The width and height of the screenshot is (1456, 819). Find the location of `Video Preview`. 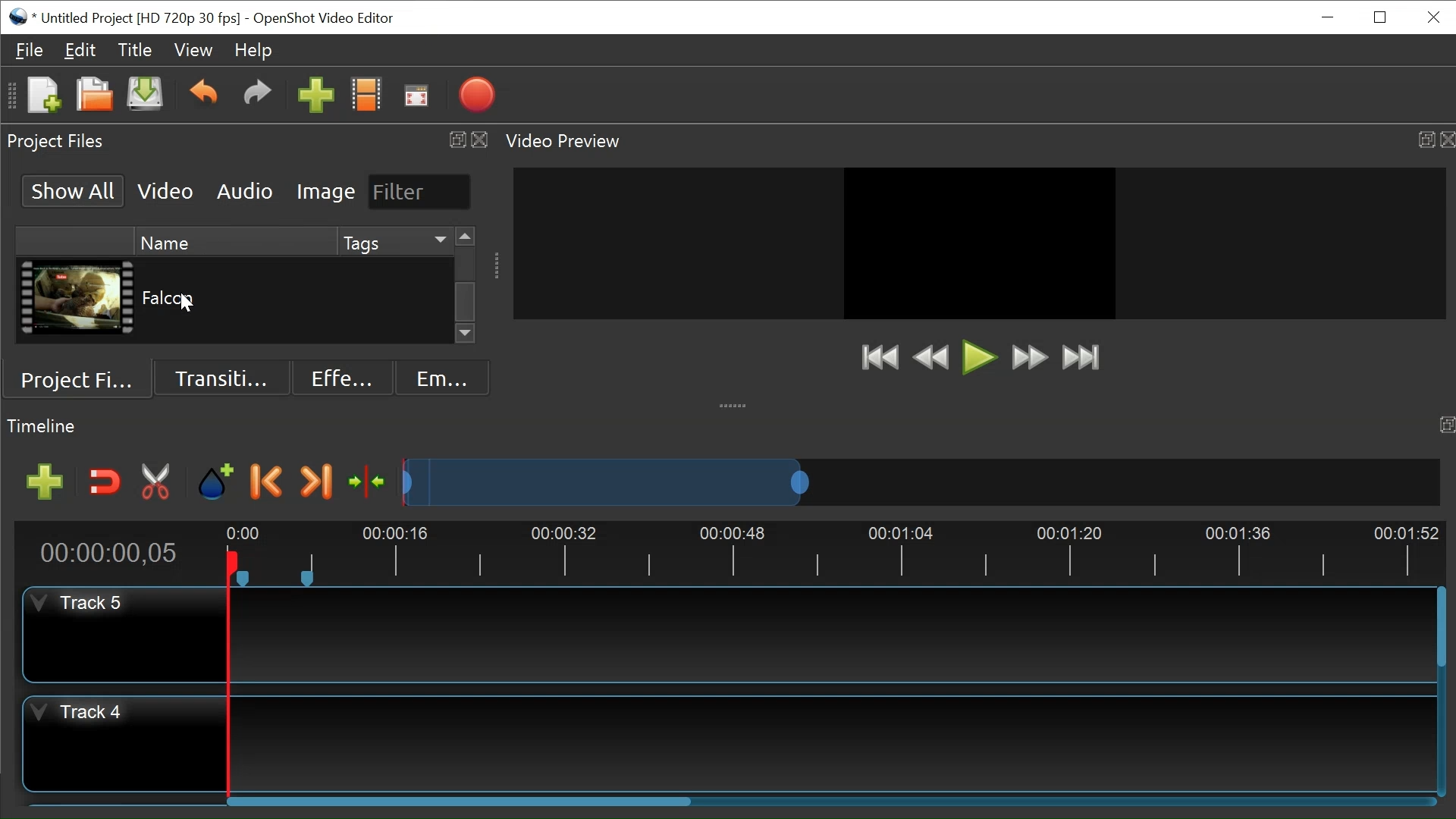

Video Preview is located at coordinates (976, 141).